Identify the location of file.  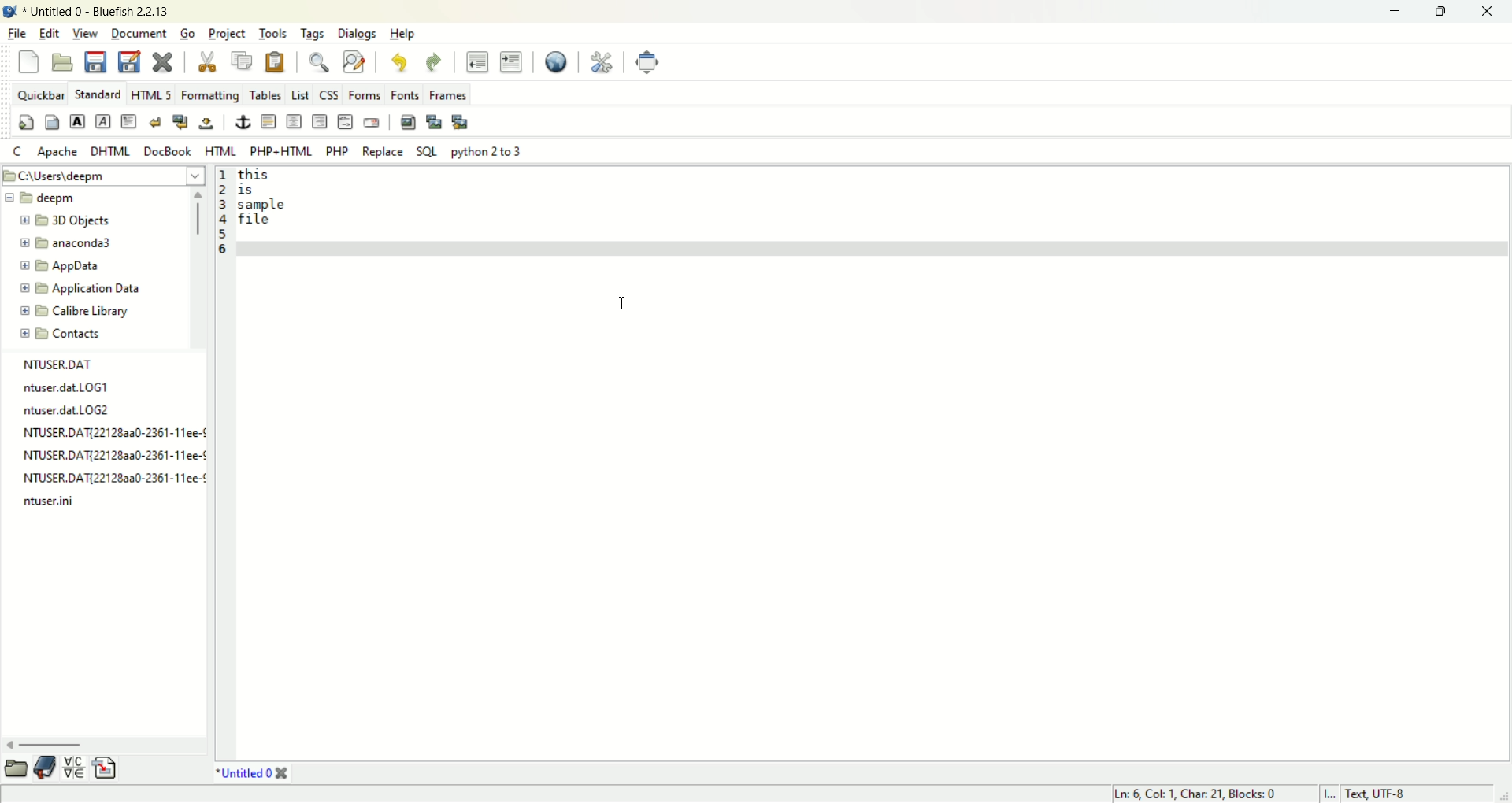
(17, 32).